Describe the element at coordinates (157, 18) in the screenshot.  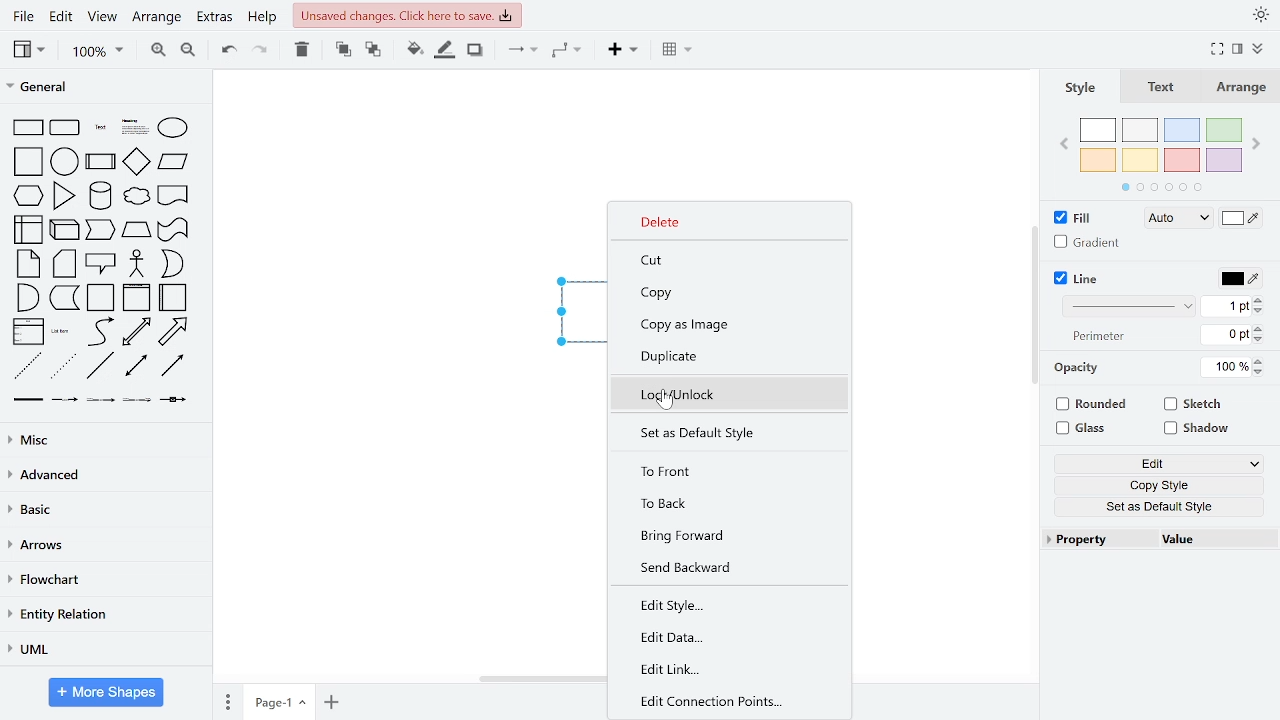
I see `arrange` at that location.